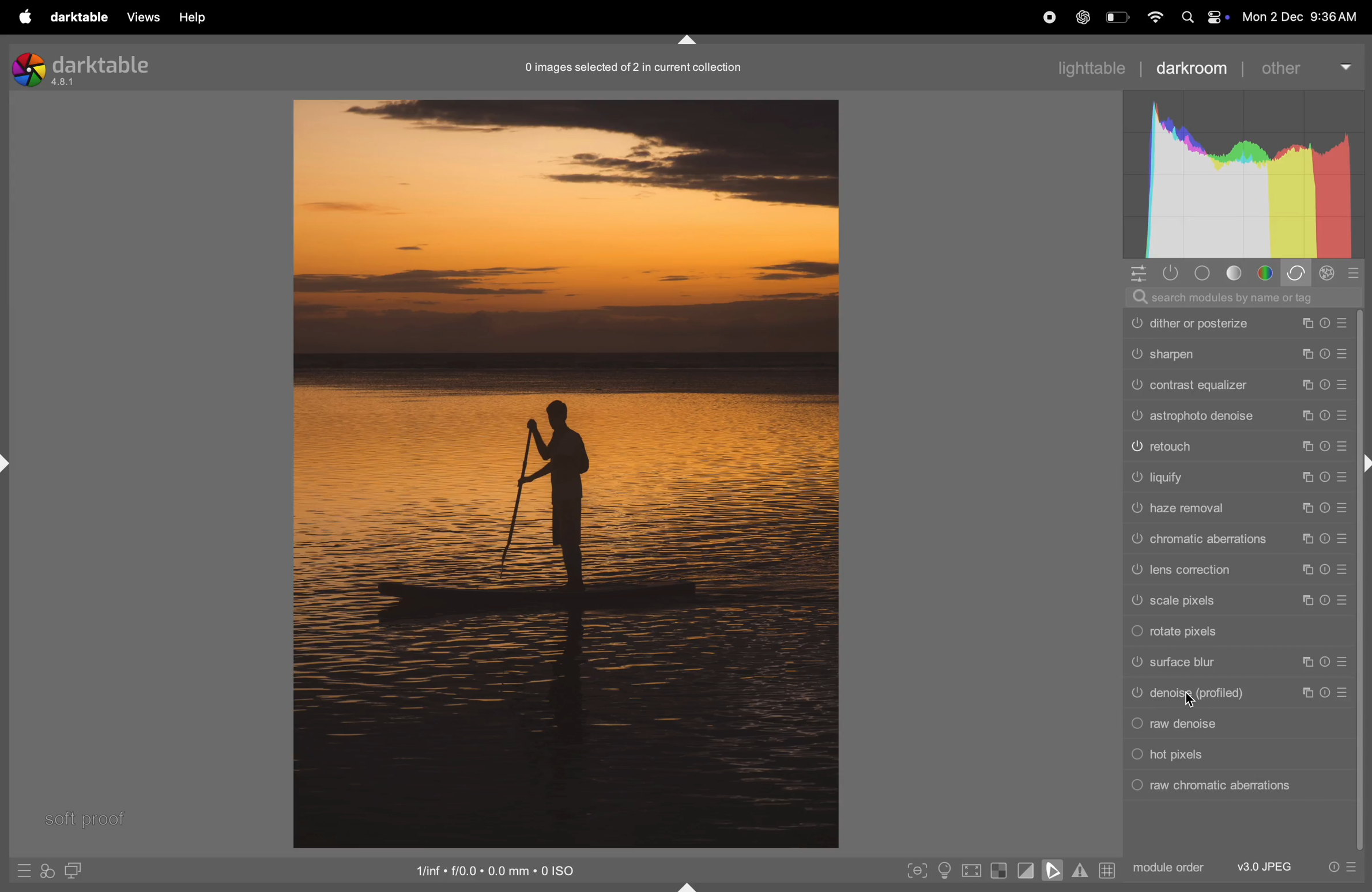  Describe the element at coordinates (1238, 538) in the screenshot. I see `chromatic abbreations` at that location.